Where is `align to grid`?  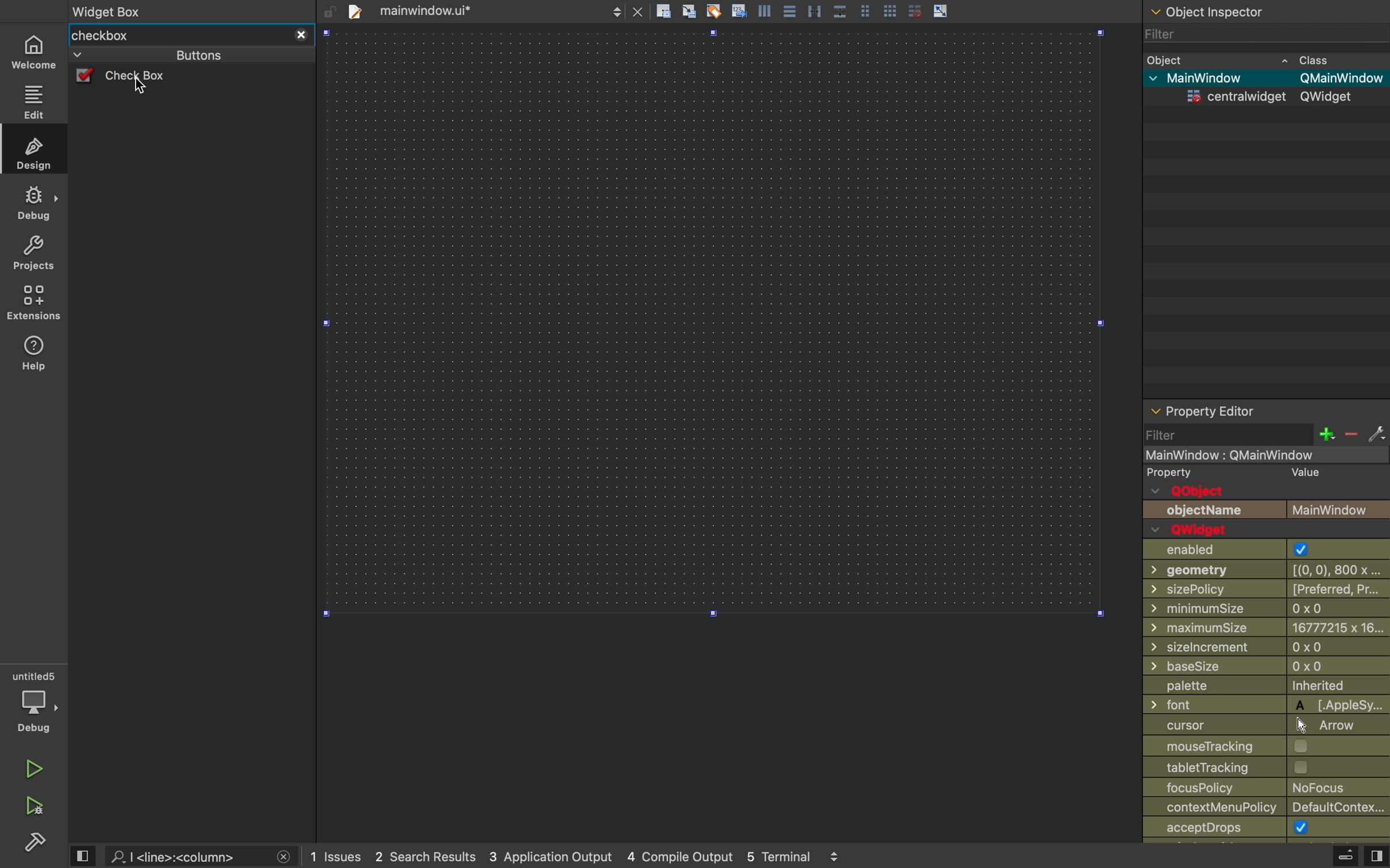
align to grid is located at coordinates (688, 10).